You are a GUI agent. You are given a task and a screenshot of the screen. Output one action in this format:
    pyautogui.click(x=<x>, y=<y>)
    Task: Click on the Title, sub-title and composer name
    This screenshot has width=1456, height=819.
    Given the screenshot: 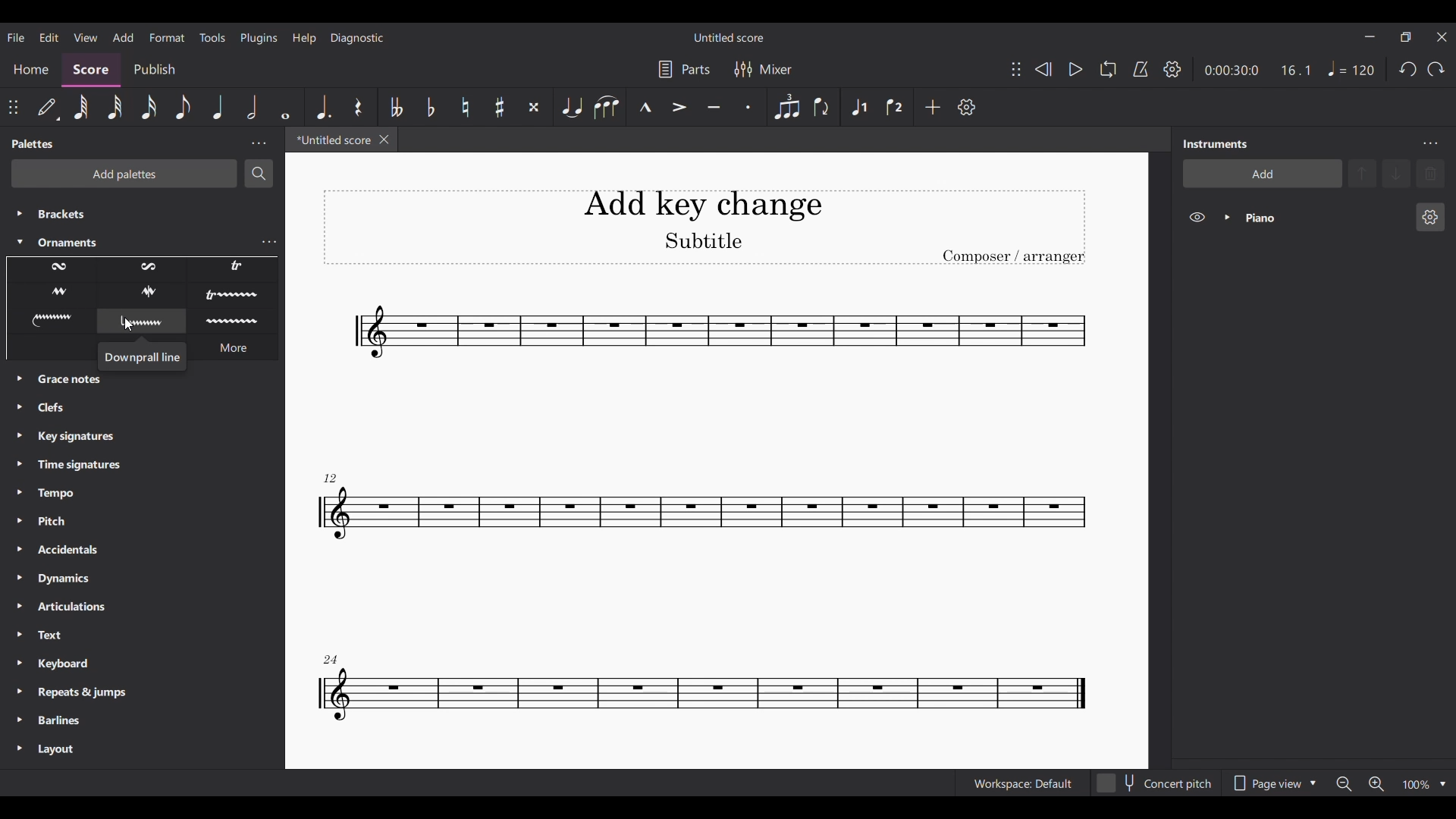 What is the action you would take?
    pyautogui.click(x=704, y=227)
    